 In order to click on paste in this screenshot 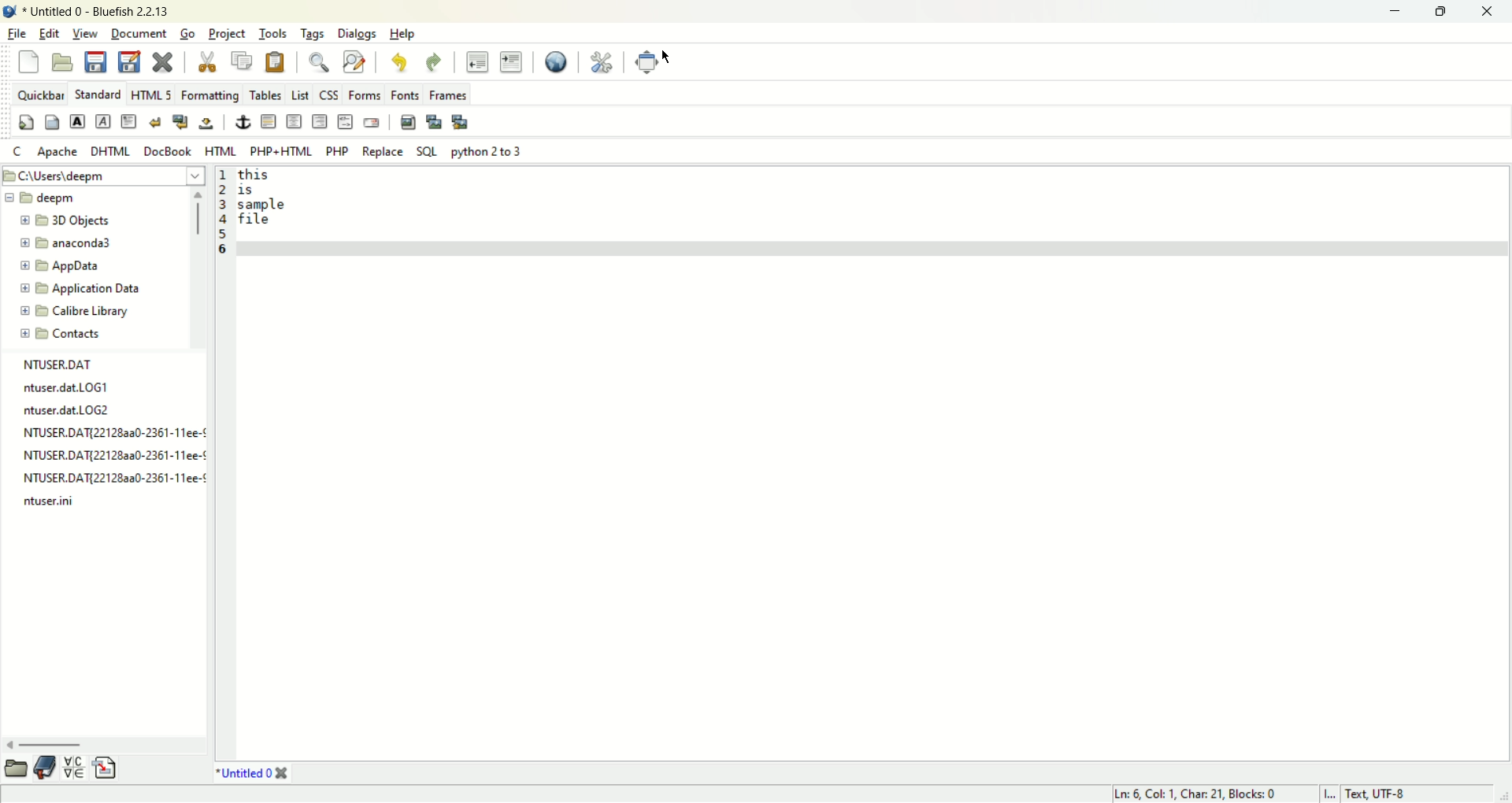, I will do `click(272, 60)`.